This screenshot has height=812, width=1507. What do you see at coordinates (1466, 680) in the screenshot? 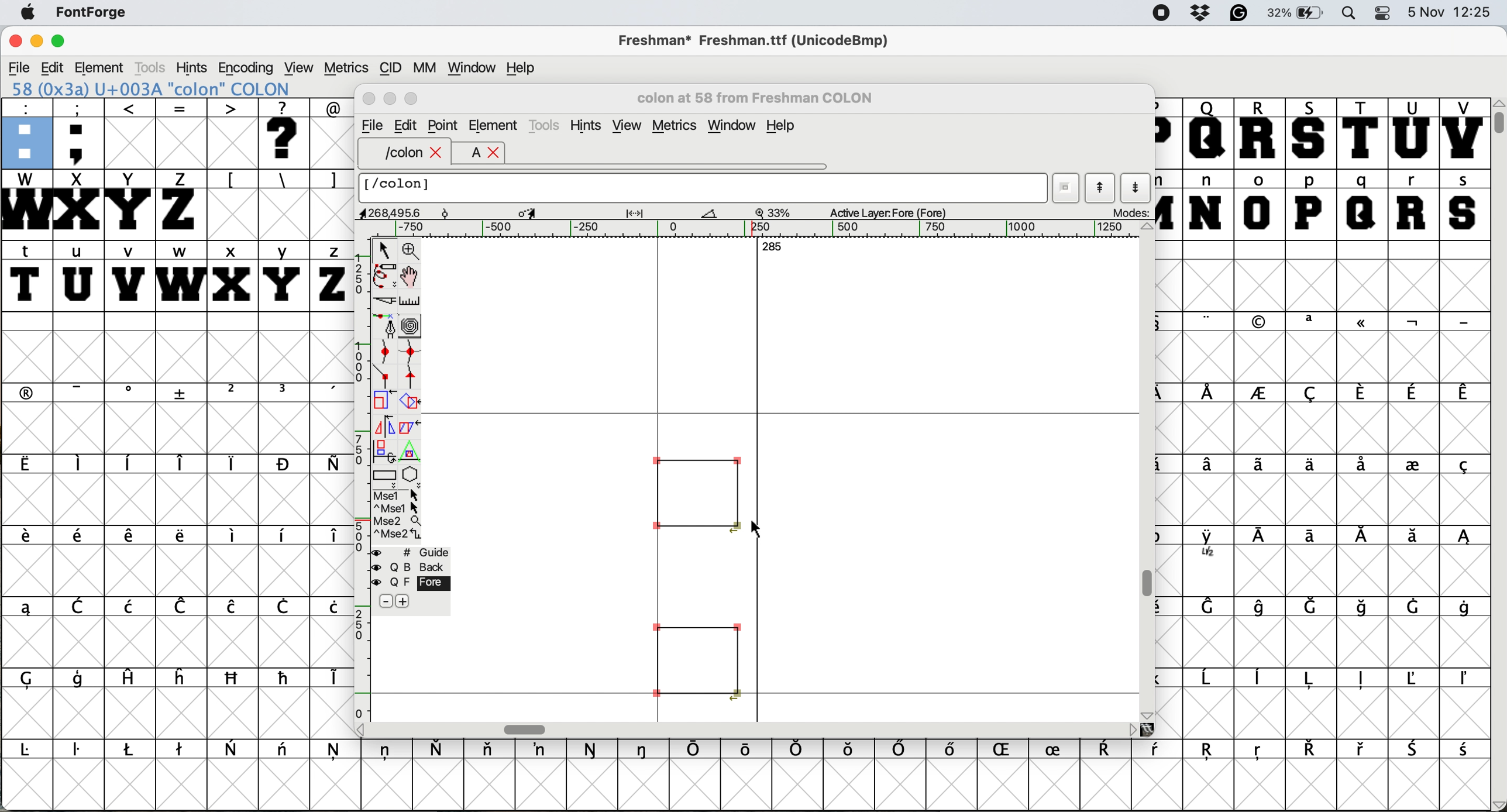
I see `symbol` at bounding box center [1466, 680].